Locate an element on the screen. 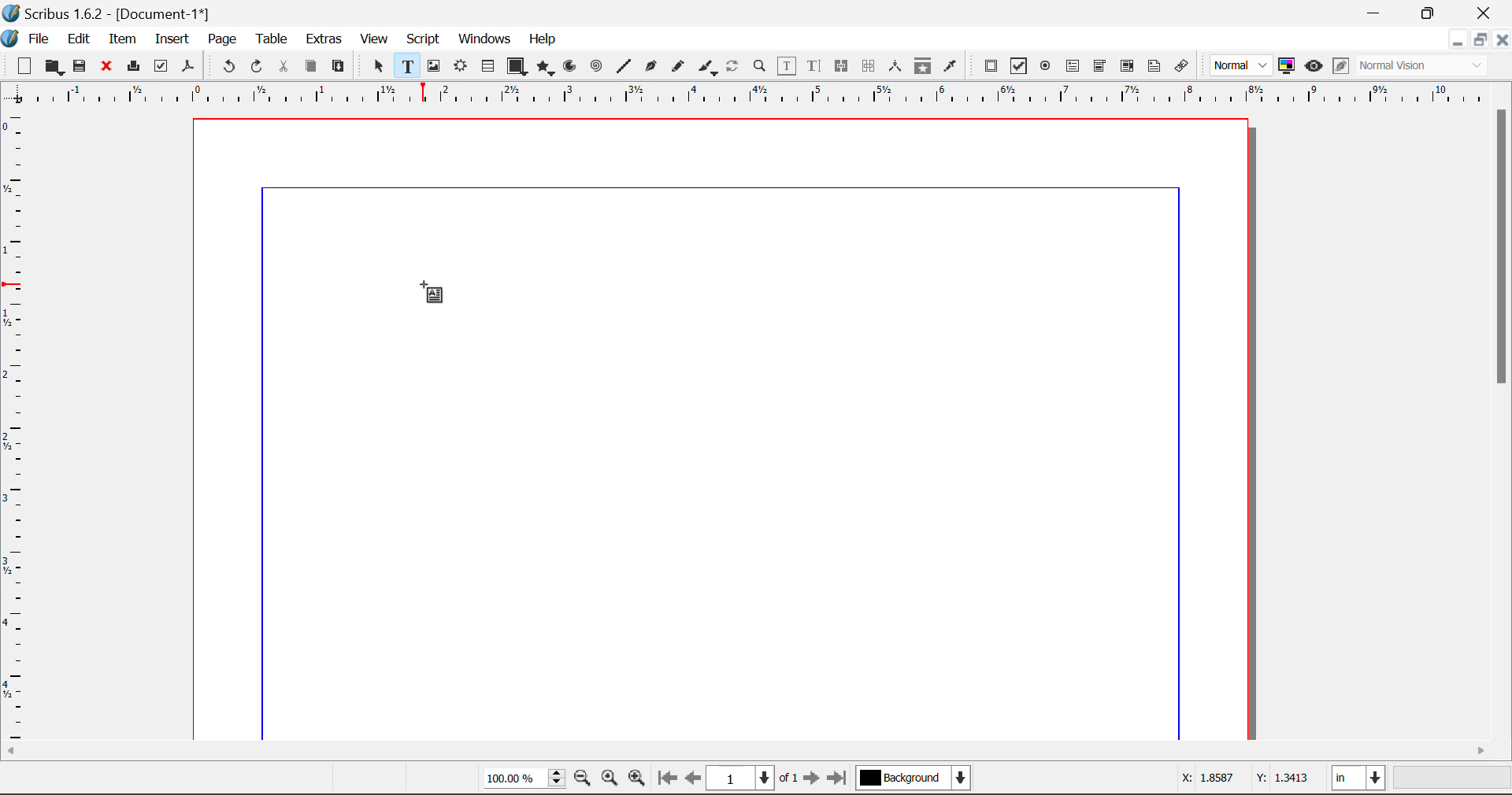 The width and height of the screenshot is (1512, 795). Last Page is located at coordinates (839, 780).